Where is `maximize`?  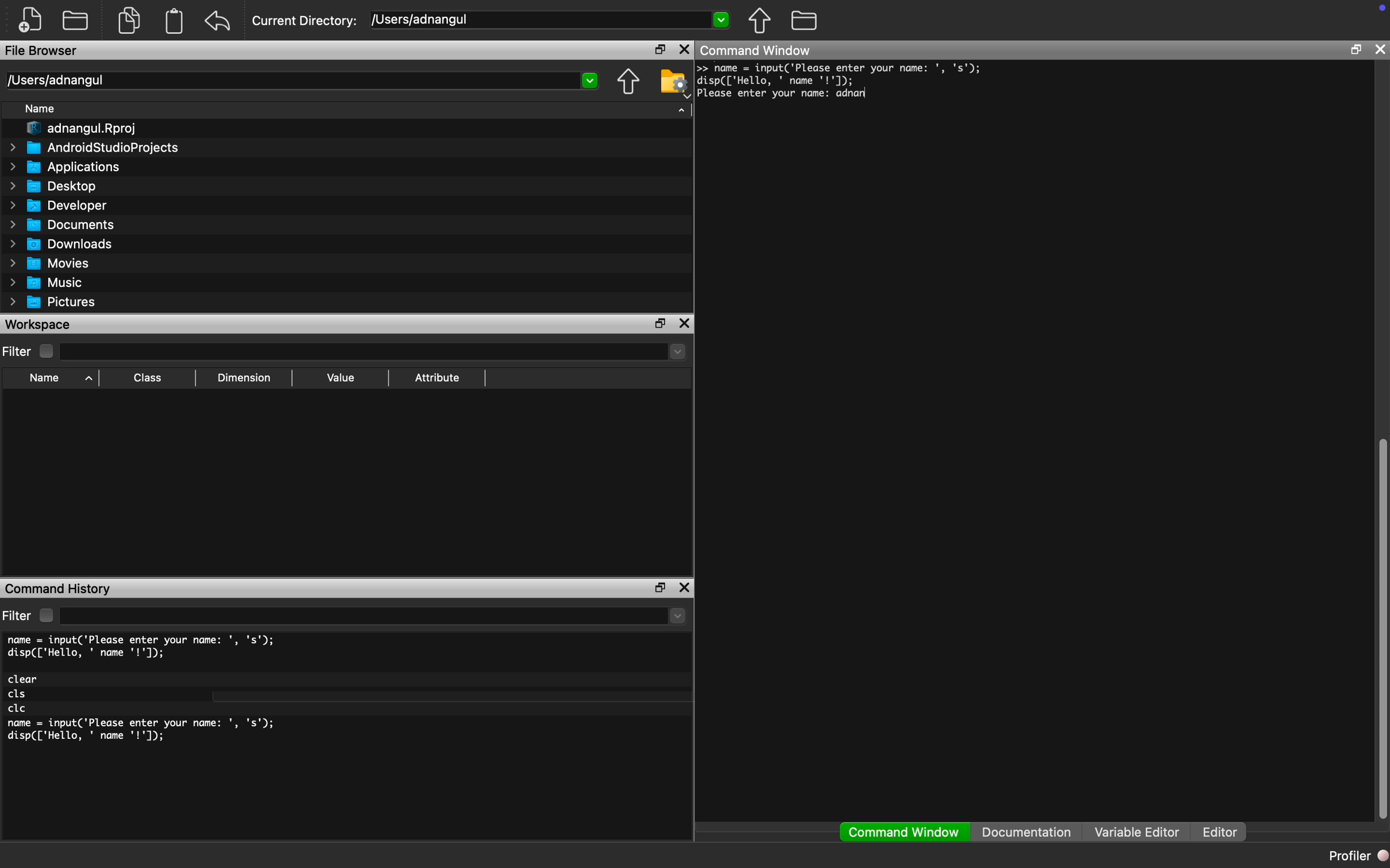 maximize is located at coordinates (658, 48).